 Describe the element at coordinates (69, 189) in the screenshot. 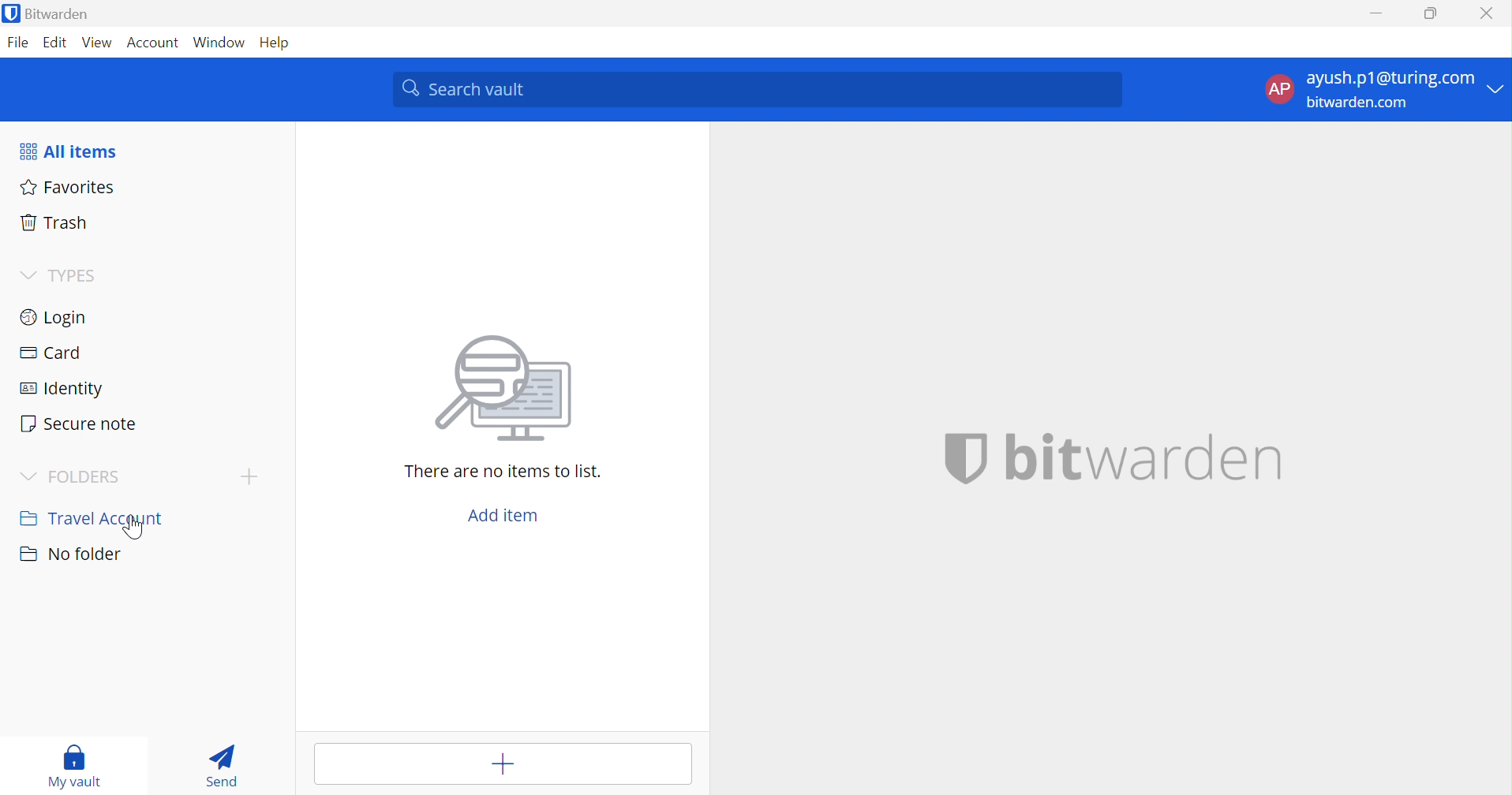

I see `Favorites` at that location.